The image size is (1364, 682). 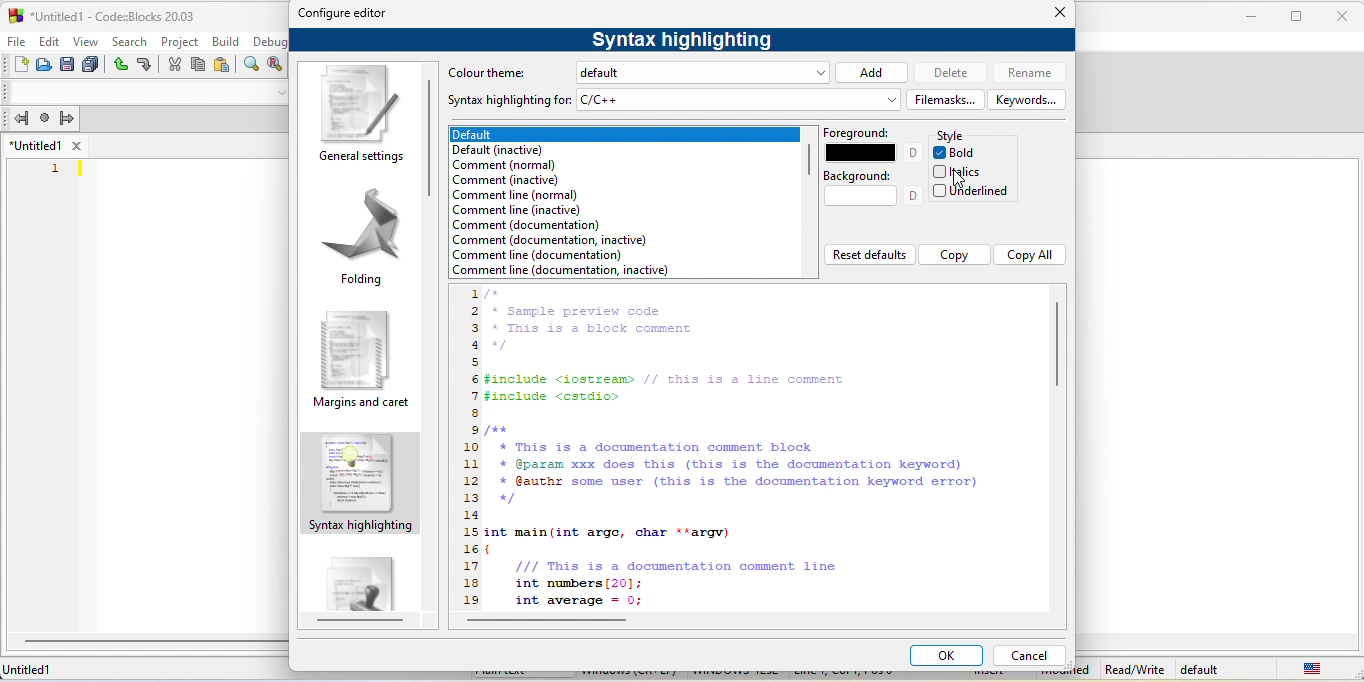 I want to click on untitled 1-code blocks-20.03, so click(x=113, y=17).